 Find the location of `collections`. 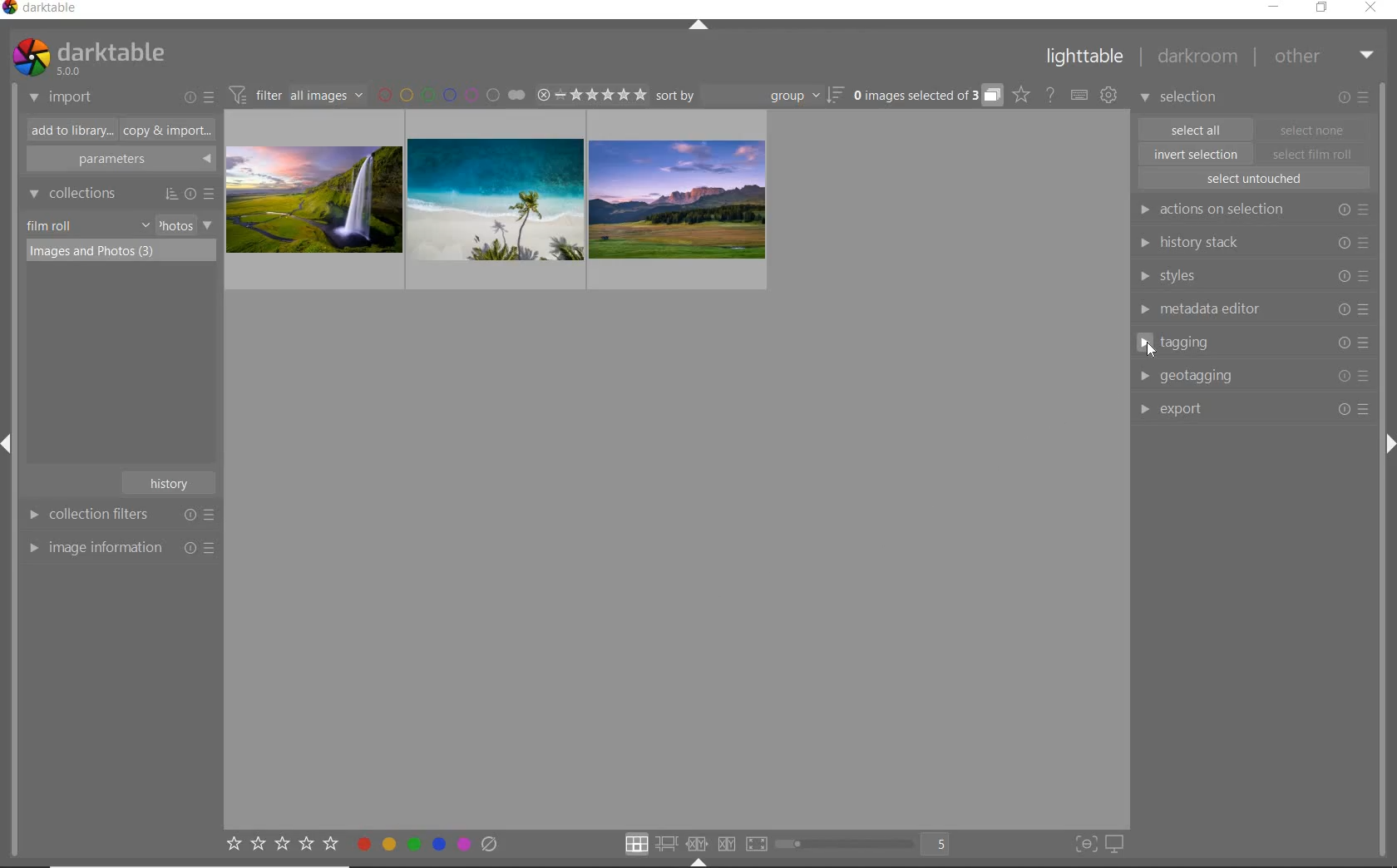

collections is located at coordinates (119, 194).